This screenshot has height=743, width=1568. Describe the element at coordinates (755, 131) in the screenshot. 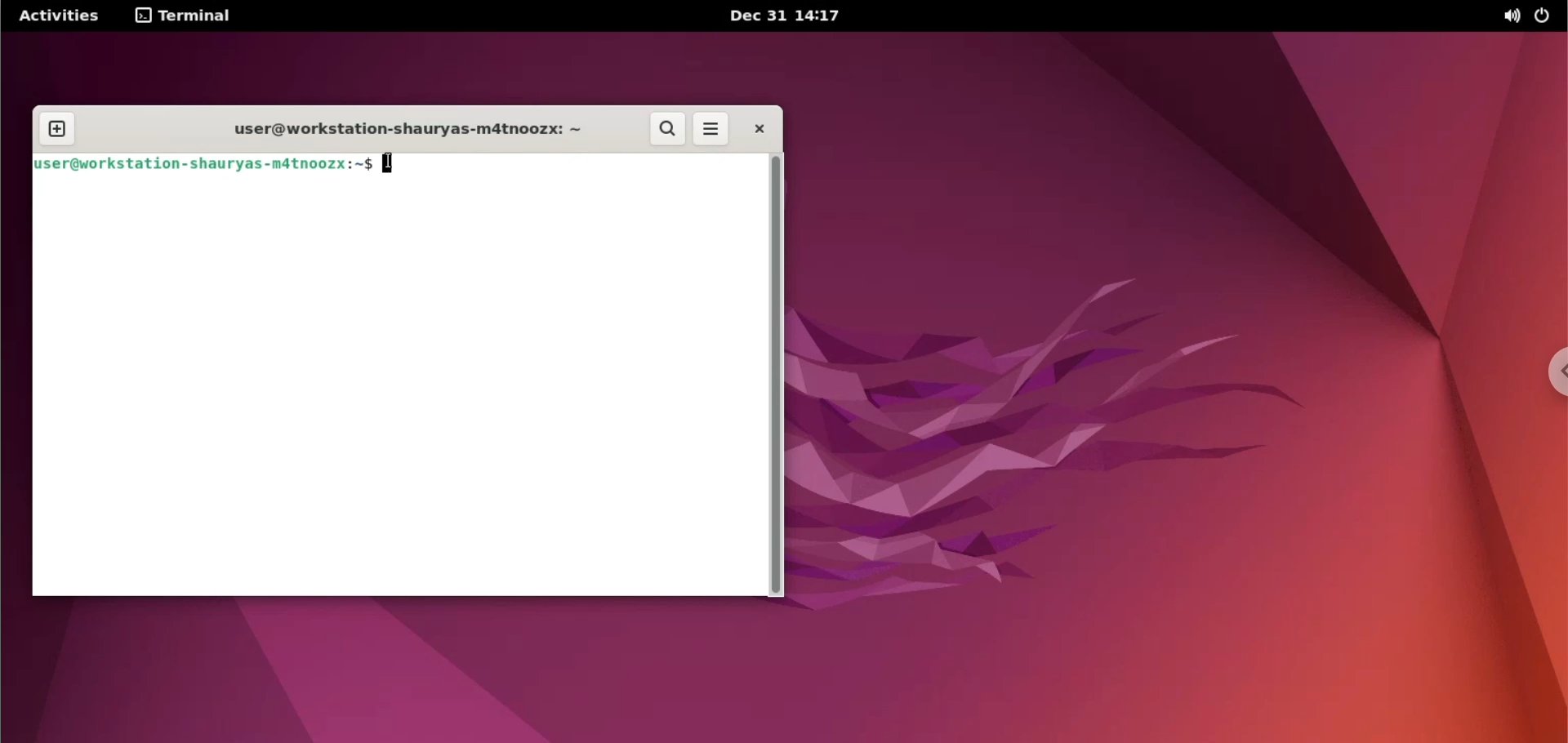

I see `close` at that location.